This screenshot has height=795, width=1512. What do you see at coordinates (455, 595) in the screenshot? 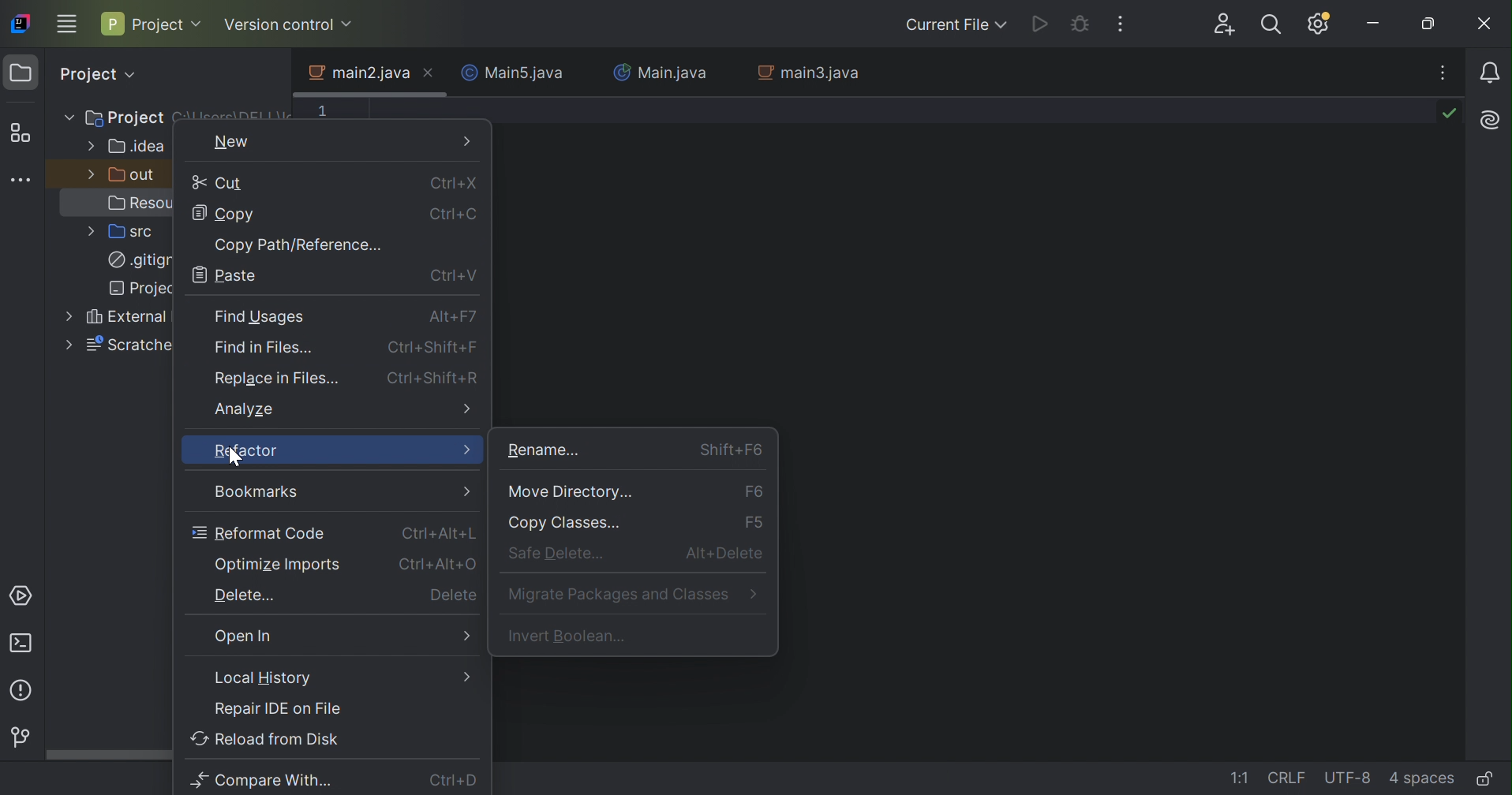
I see `Delete` at bounding box center [455, 595].